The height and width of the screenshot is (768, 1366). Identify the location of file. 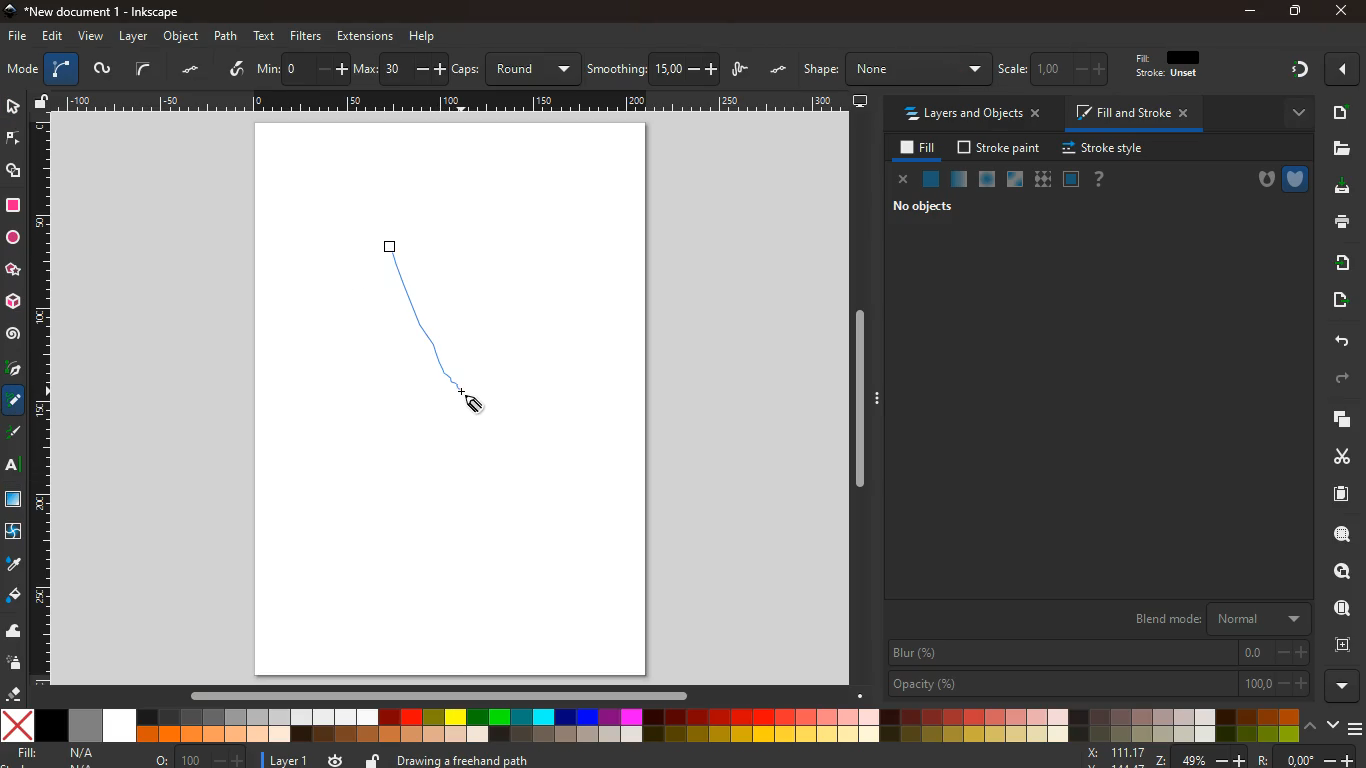
(18, 37).